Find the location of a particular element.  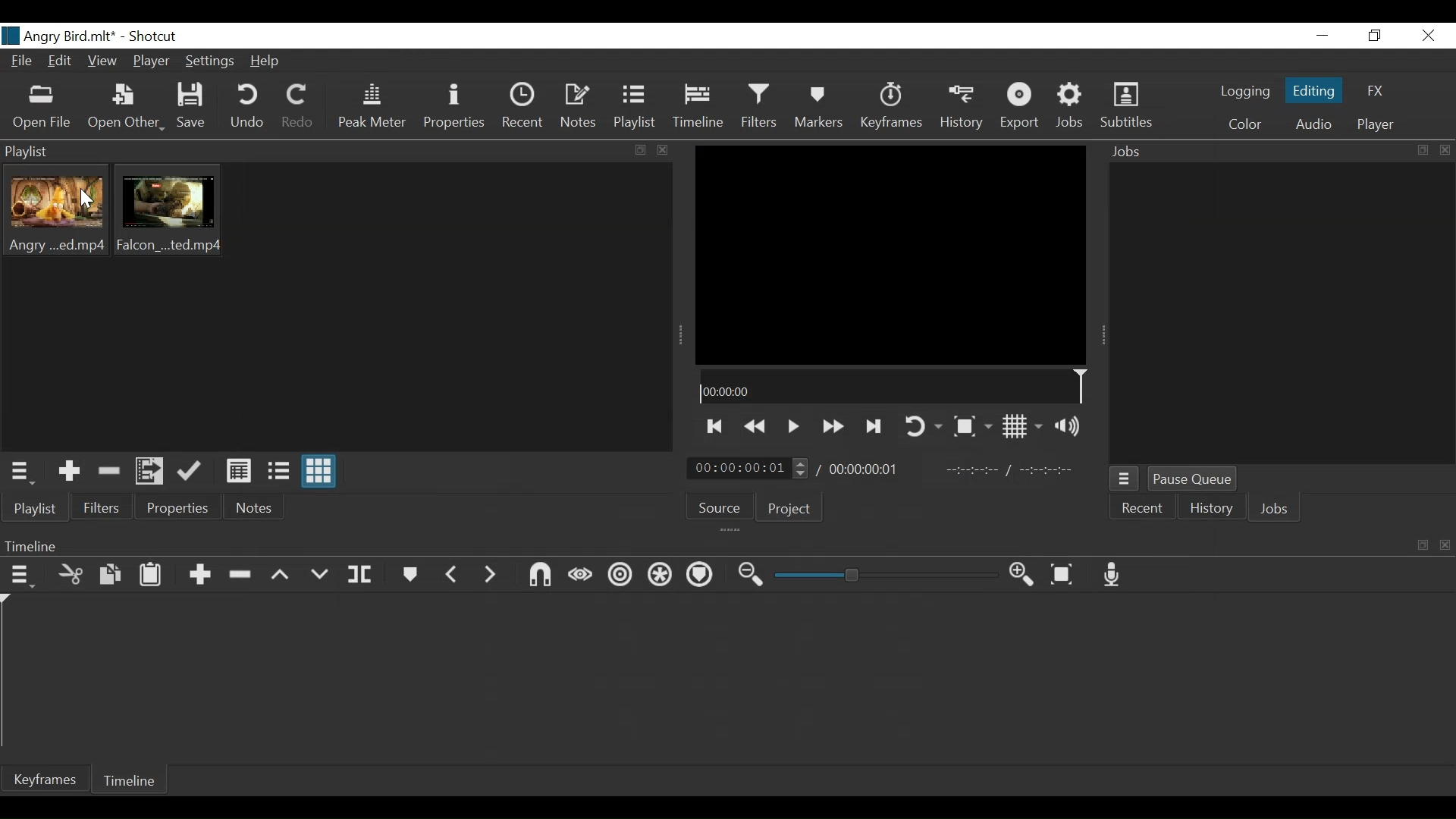

File Name is located at coordinates (62, 36).